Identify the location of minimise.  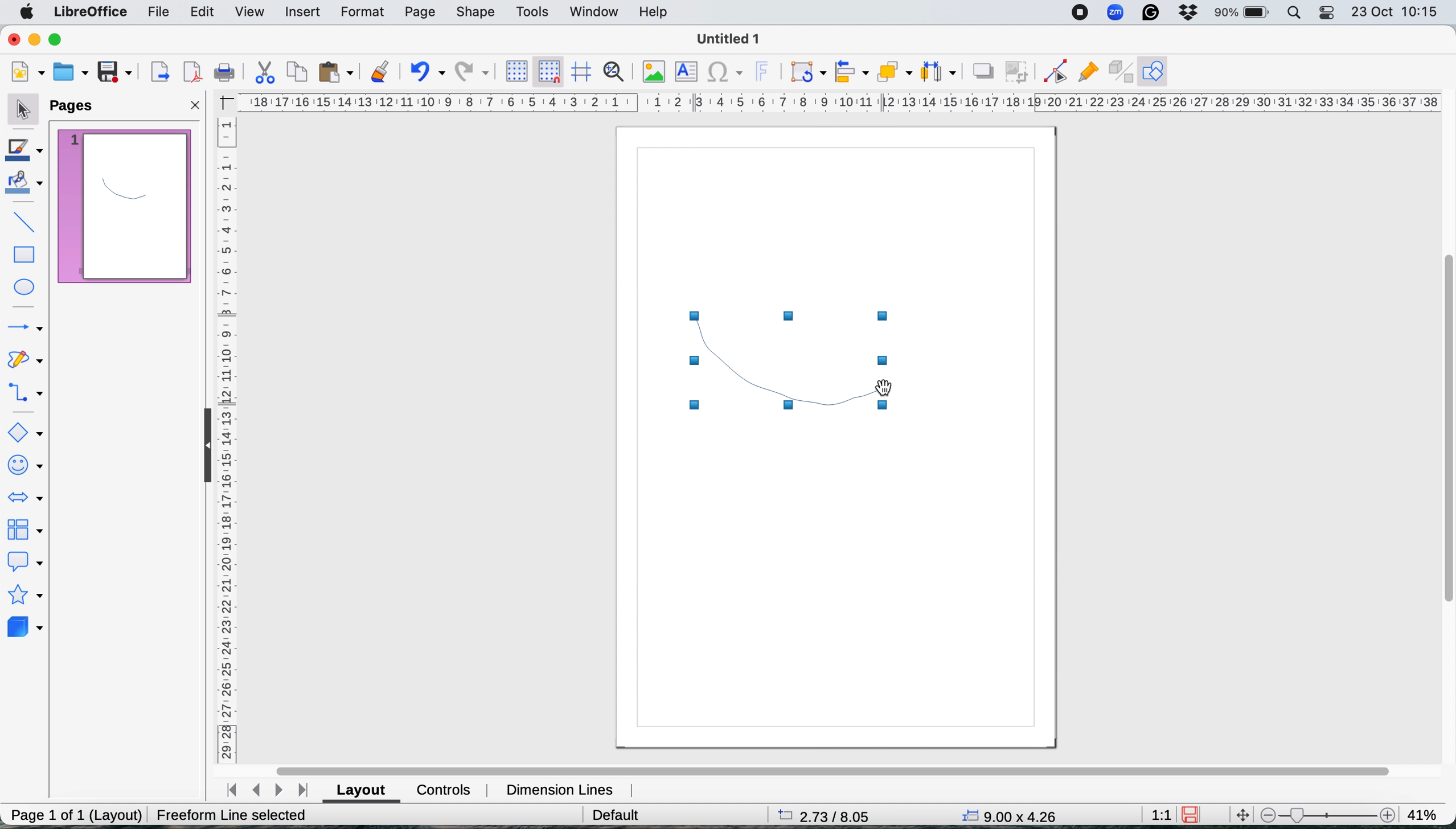
(34, 40).